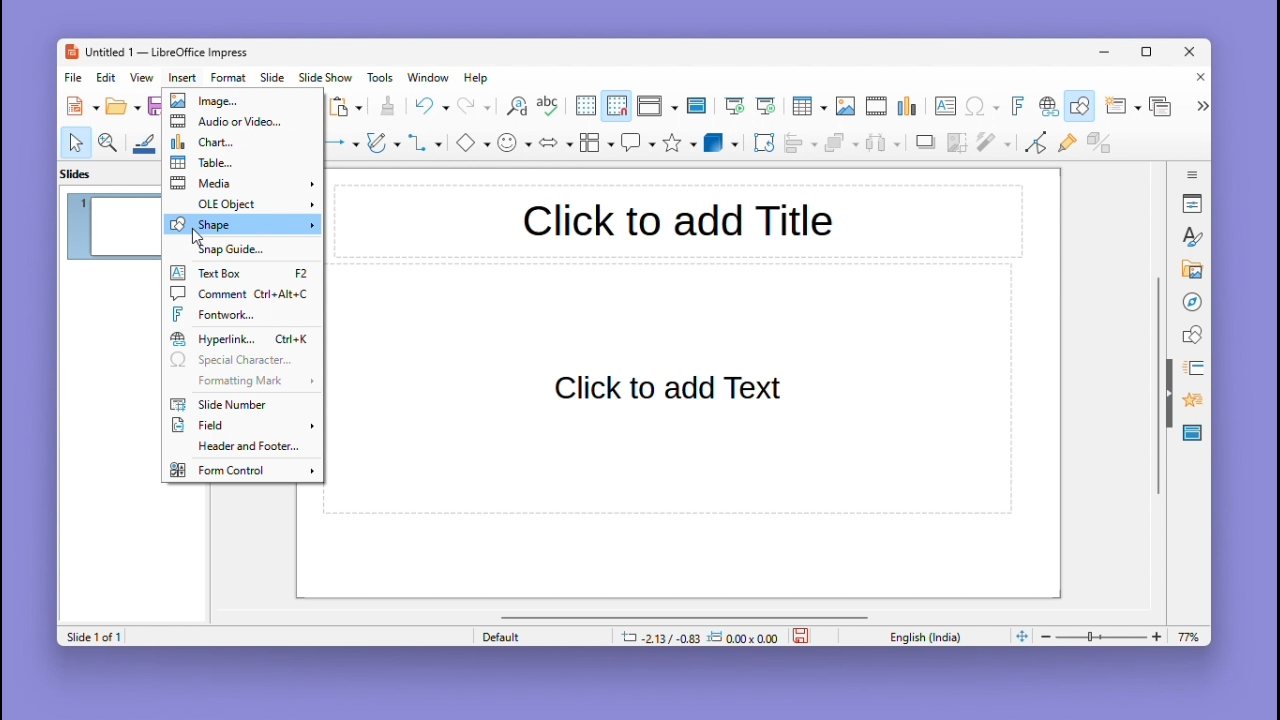  Describe the element at coordinates (655, 106) in the screenshot. I see `Display views` at that location.